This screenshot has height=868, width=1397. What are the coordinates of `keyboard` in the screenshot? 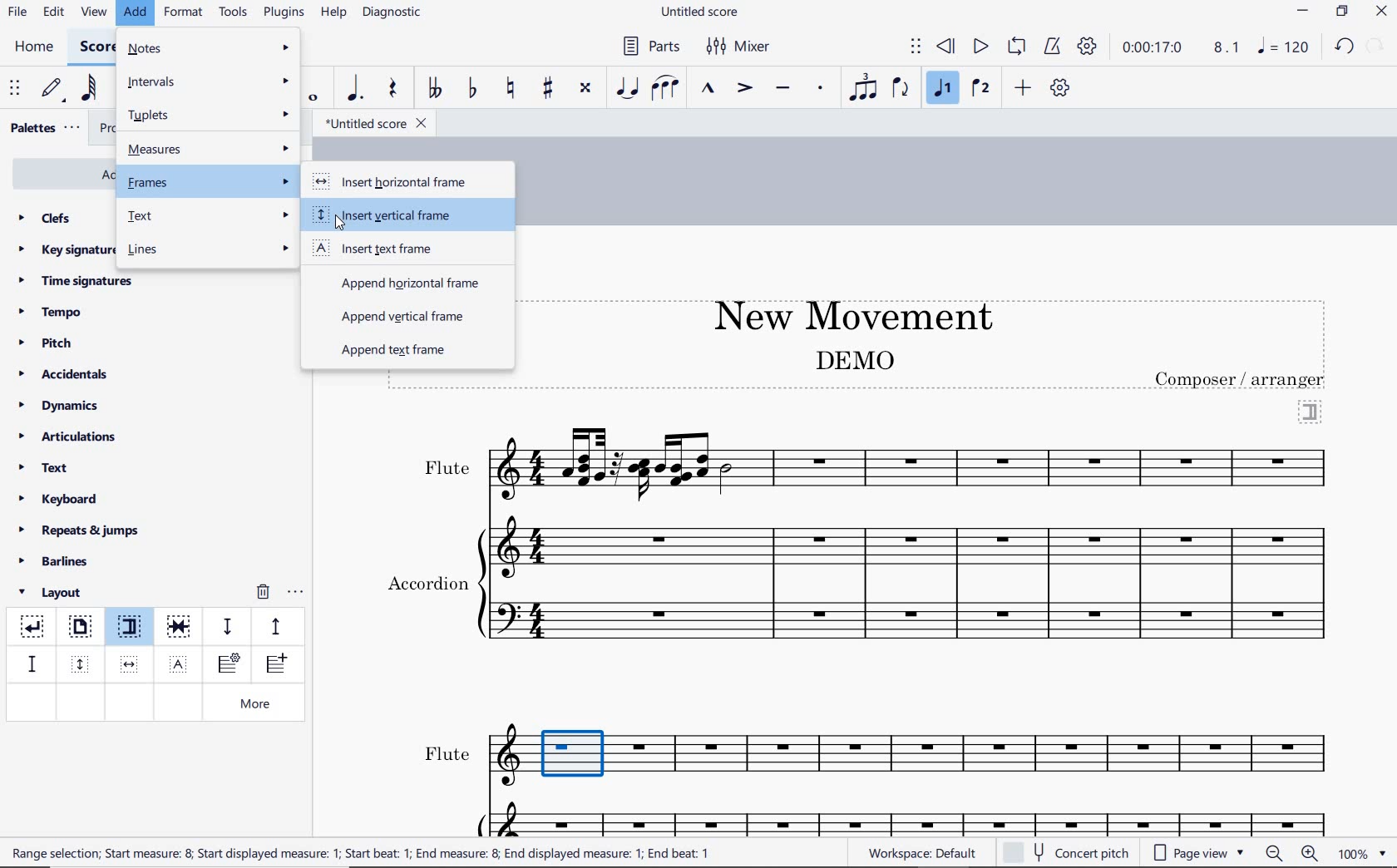 It's located at (59, 499).